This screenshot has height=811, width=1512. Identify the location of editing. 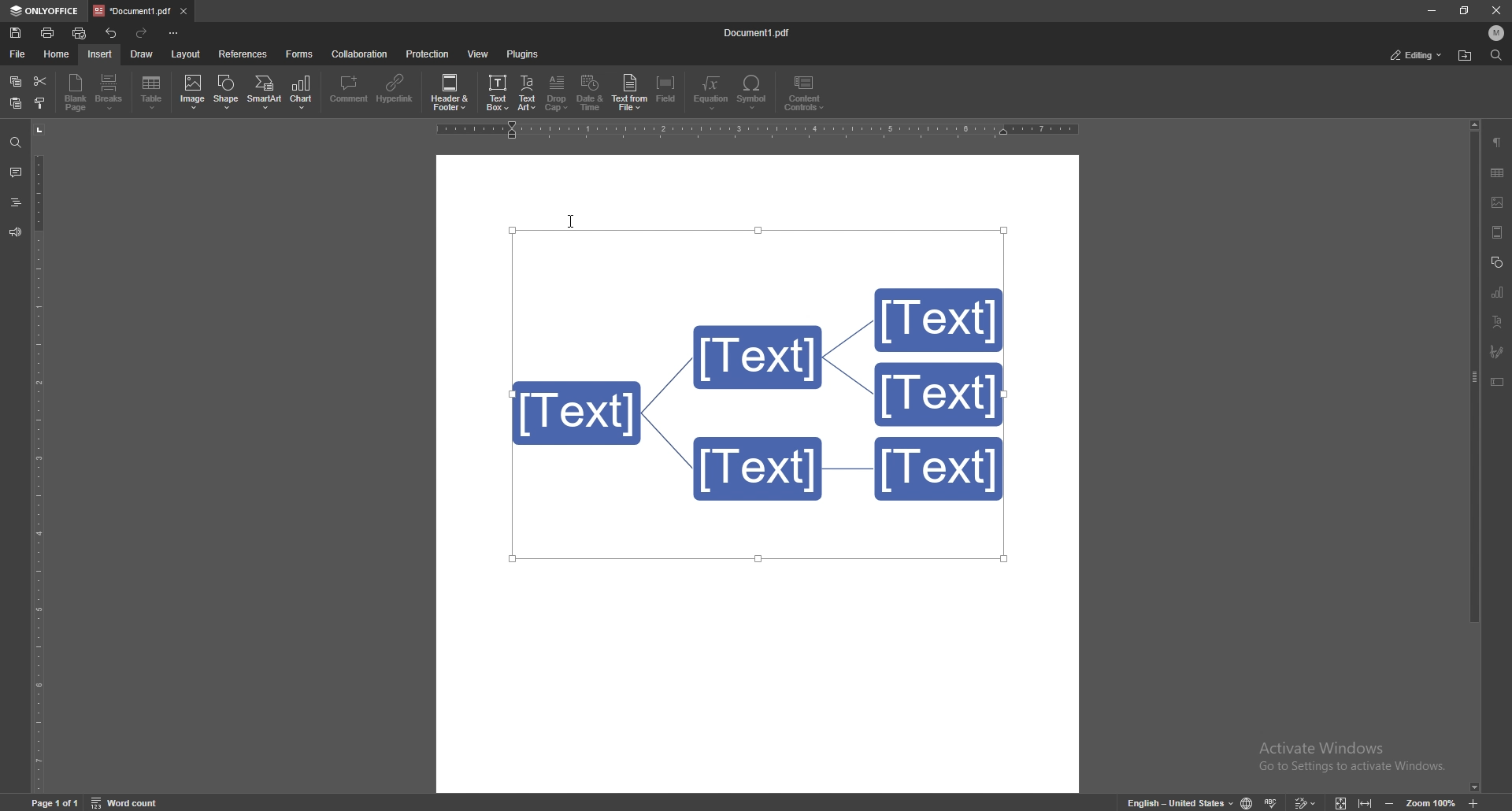
(1417, 55).